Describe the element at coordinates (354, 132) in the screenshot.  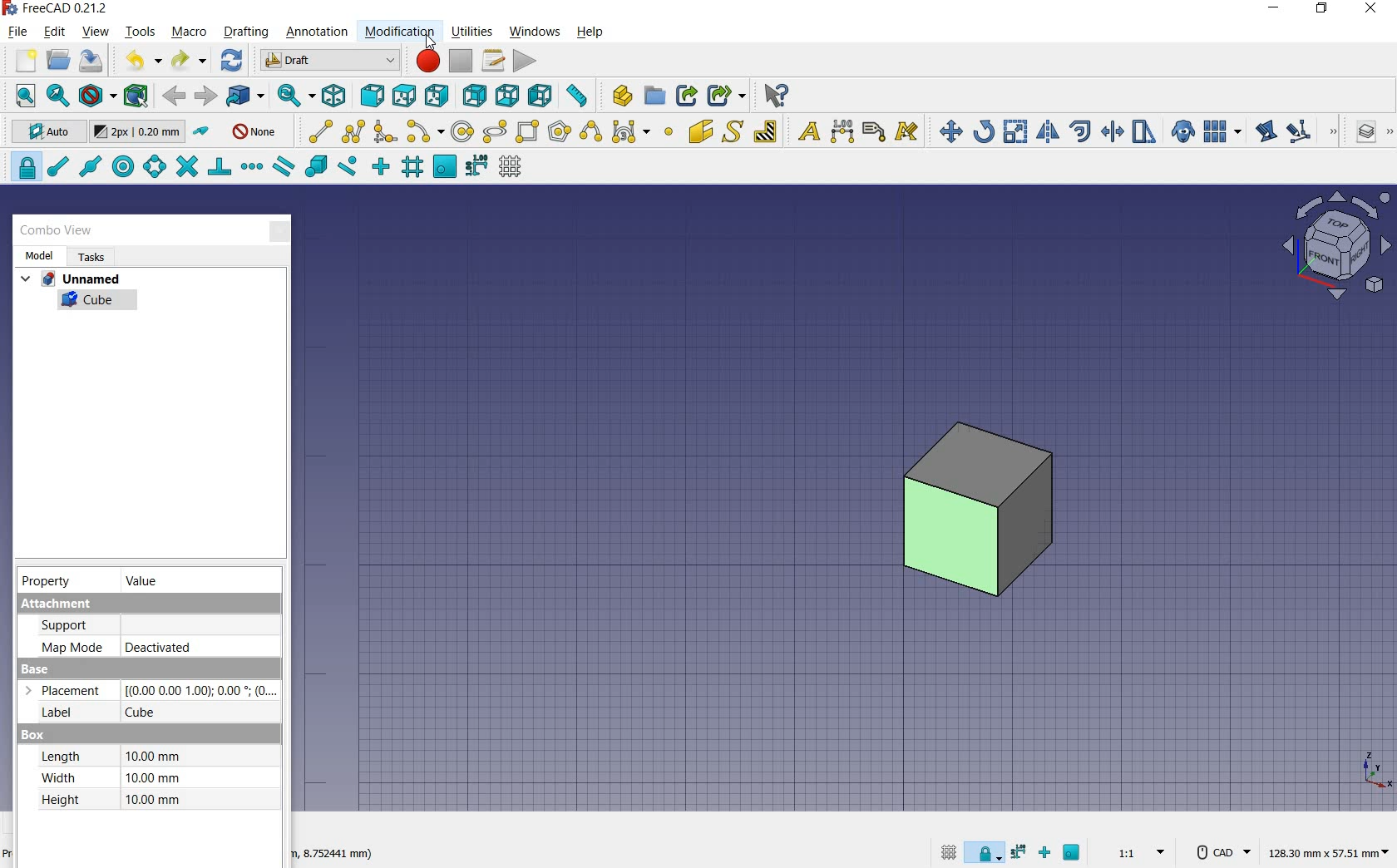
I see `polyline` at that location.